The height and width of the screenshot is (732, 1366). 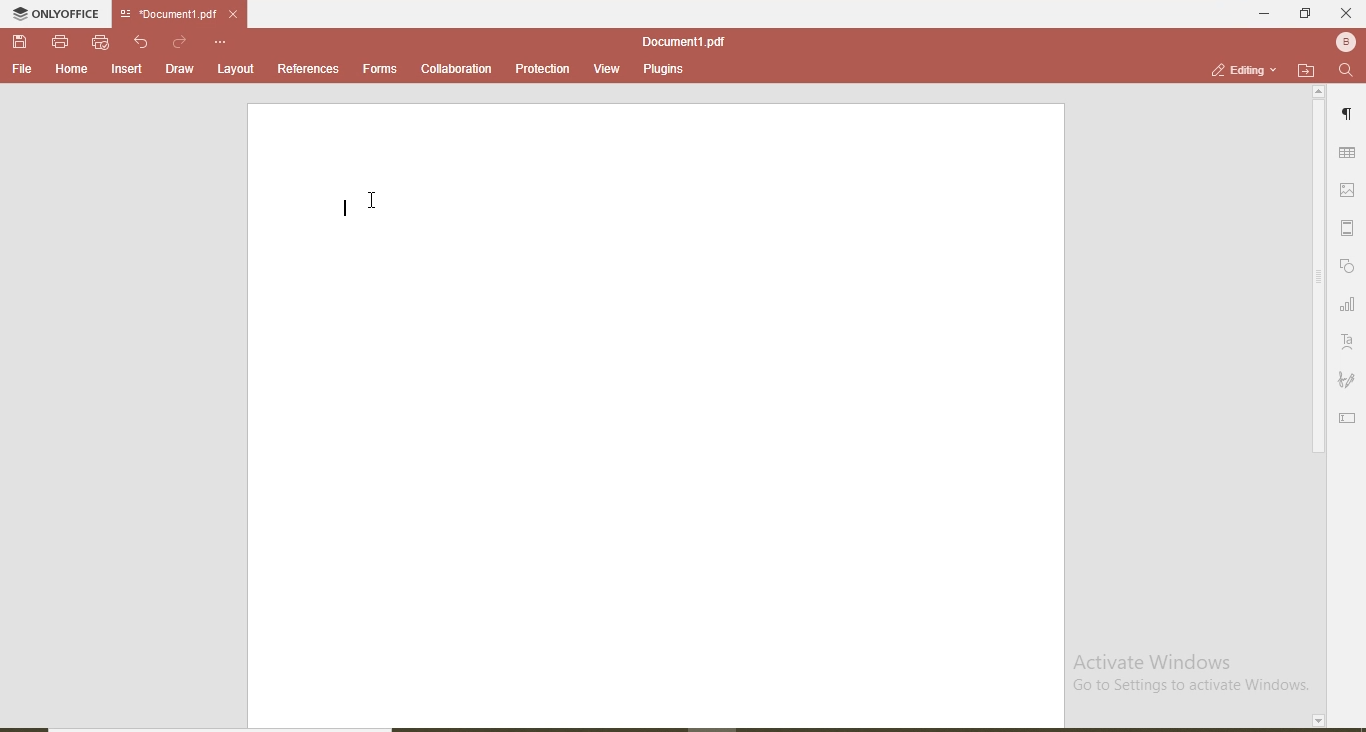 What do you see at coordinates (1349, 267) in the screenshot?
I see `shapes` at bounding box center [1349, 267].